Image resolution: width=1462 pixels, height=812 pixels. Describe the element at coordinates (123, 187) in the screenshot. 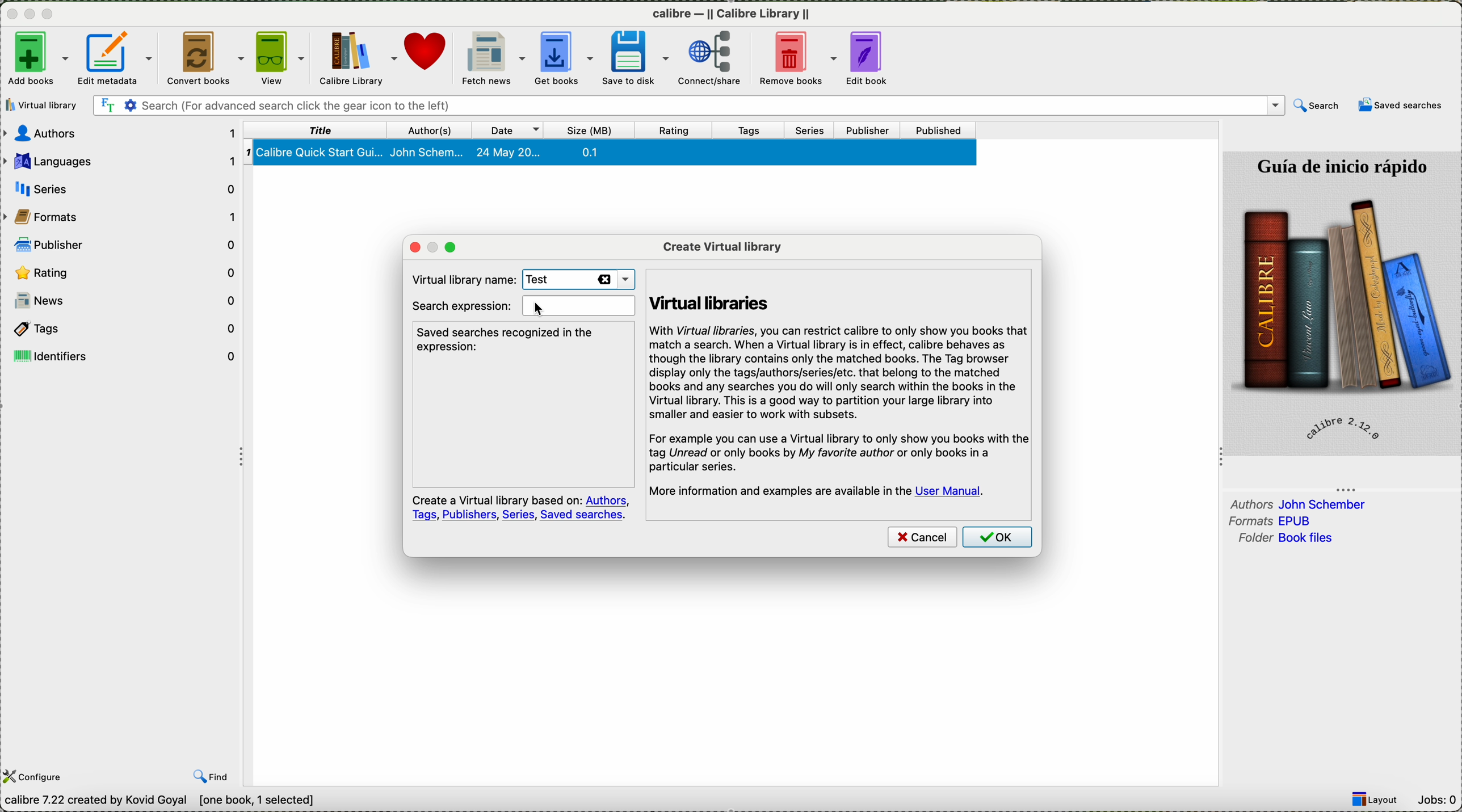

I see `serie` at that location.